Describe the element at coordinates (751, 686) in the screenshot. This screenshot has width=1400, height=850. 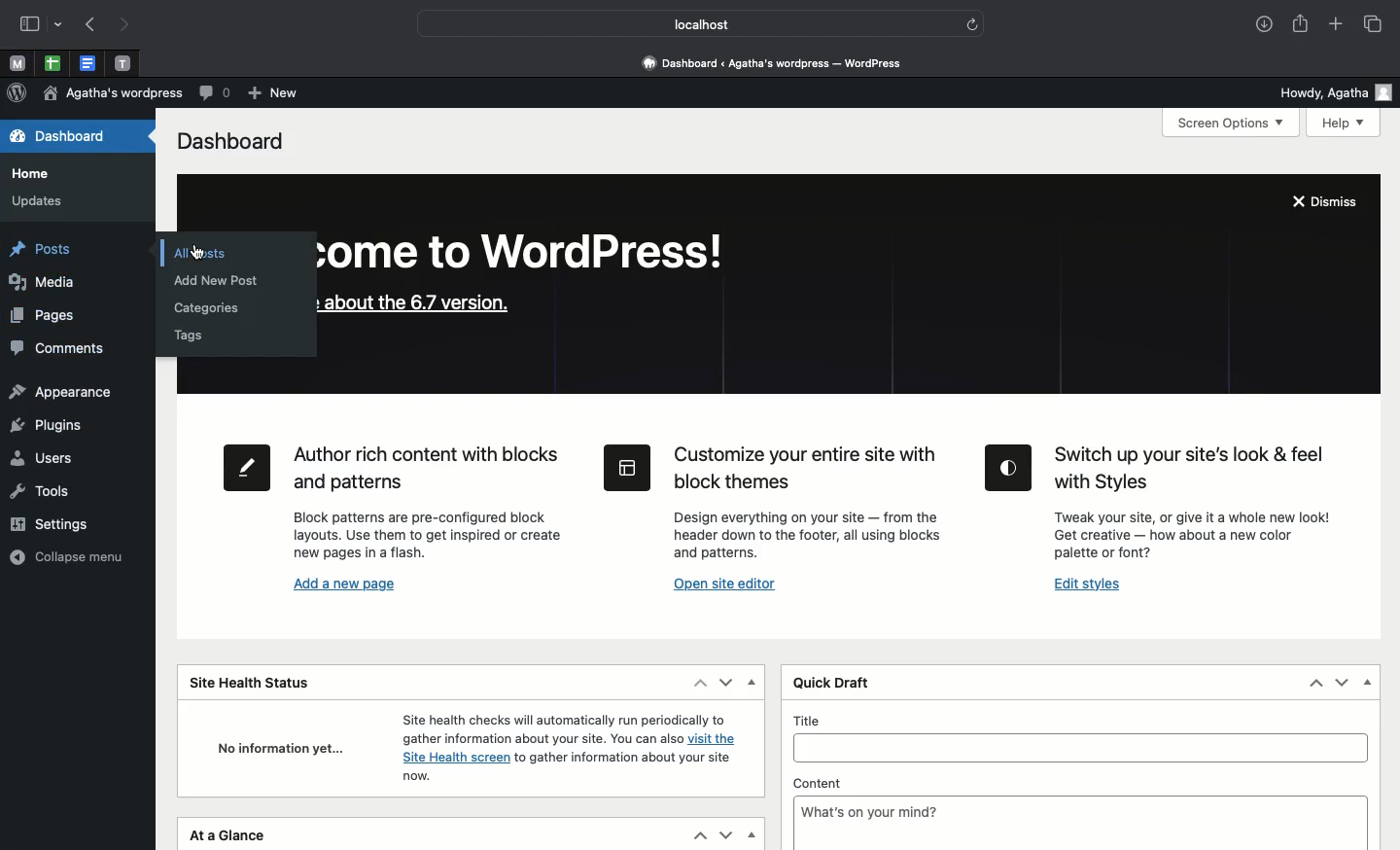
I see `Hide` at that location.